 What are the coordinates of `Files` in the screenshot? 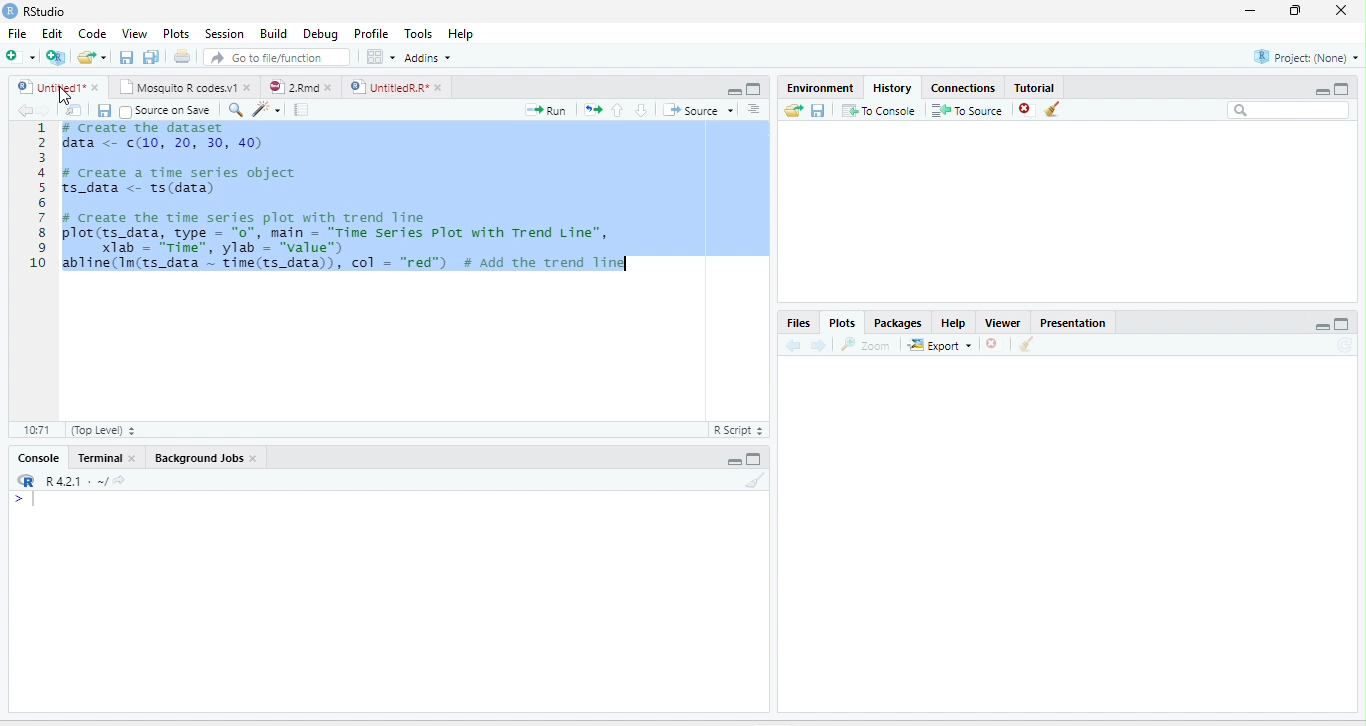 It's located at (799, 323).